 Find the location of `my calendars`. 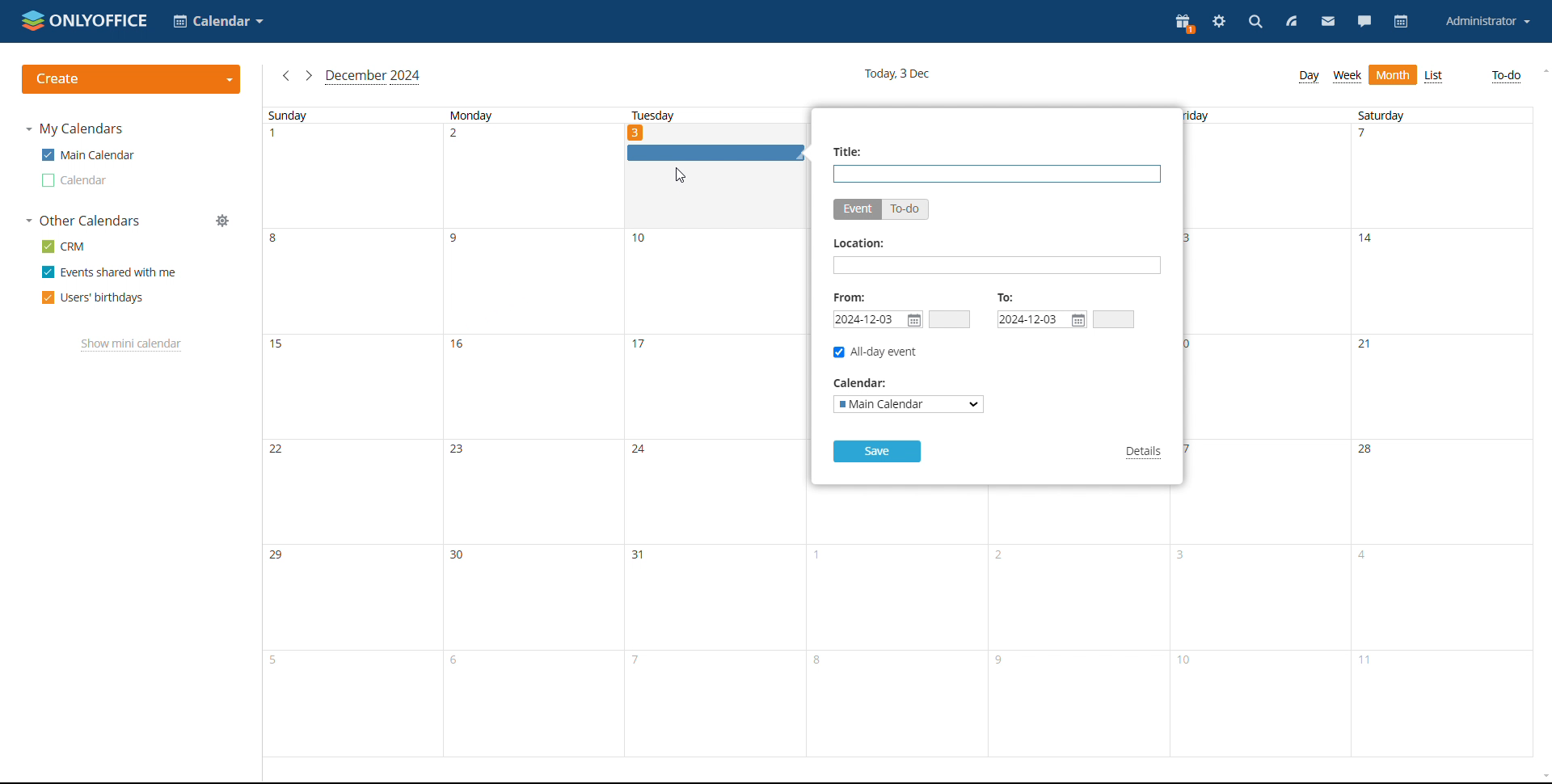

my calendars is located at coordinates (74, 129).